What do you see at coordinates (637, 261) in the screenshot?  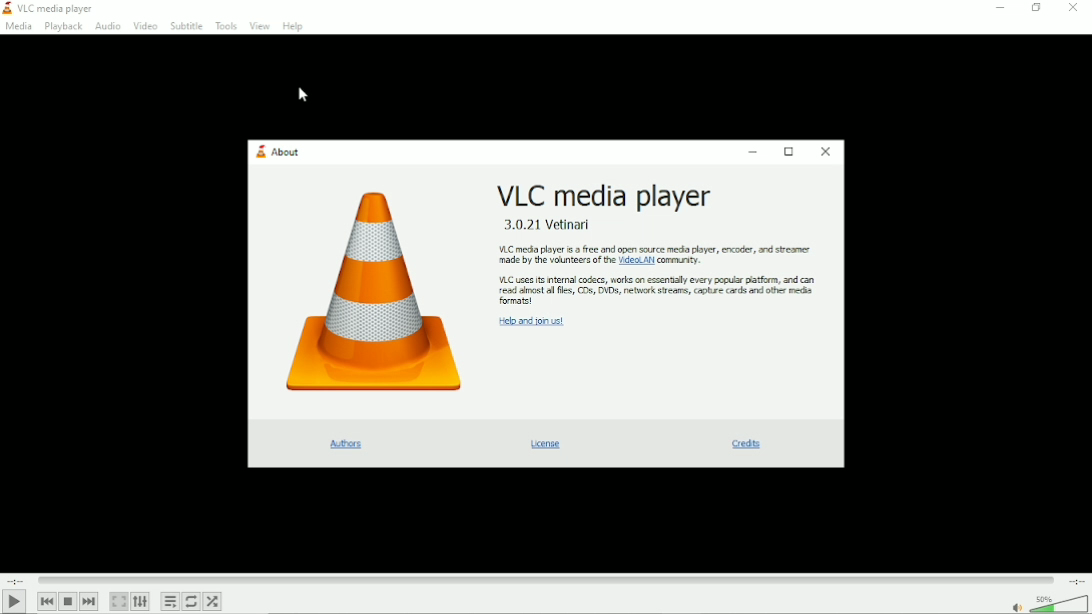 I see `Hyper Link` at bounding box center [637, 261].